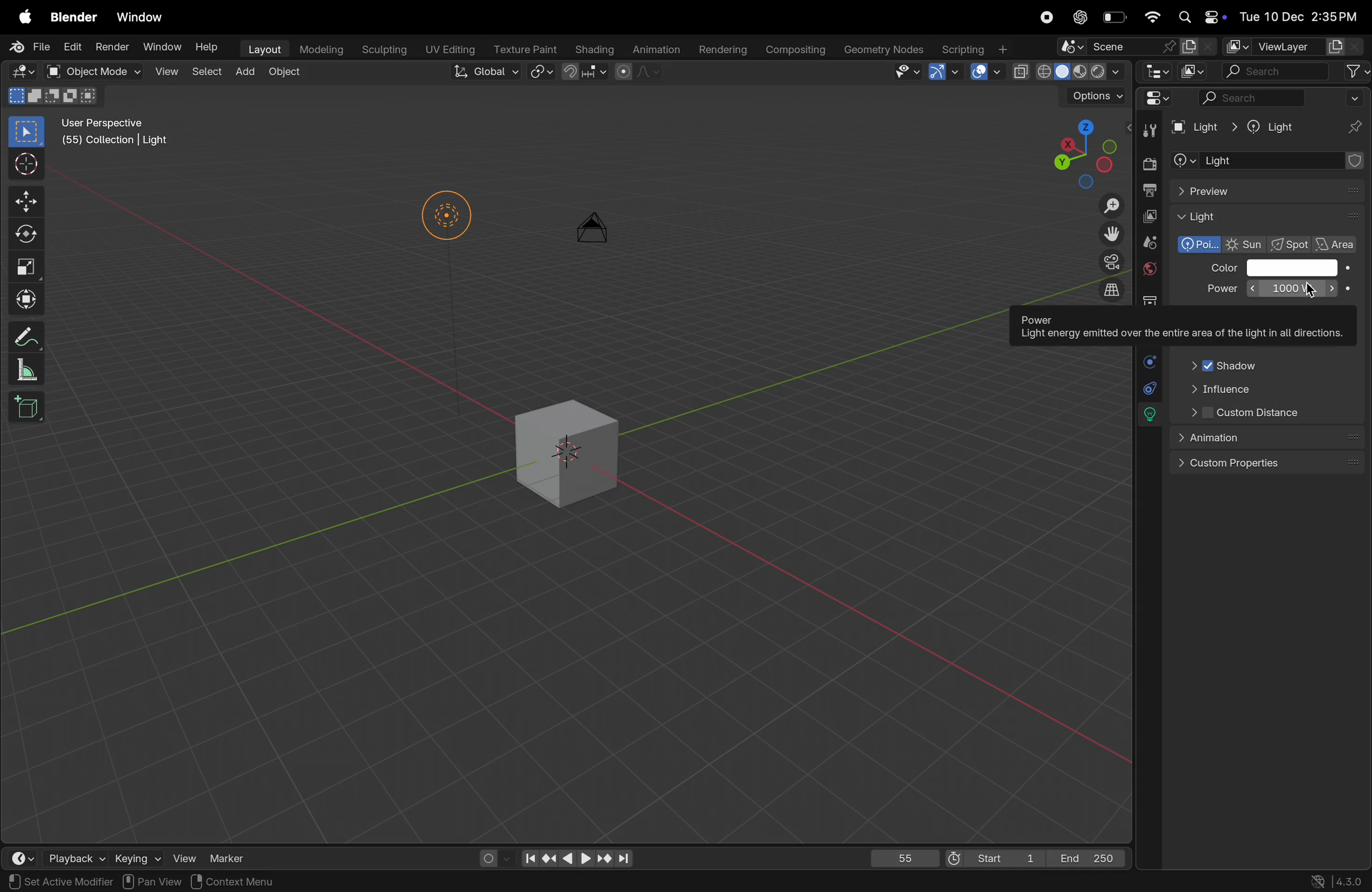  Describe the element at coordinates (570, 447) in the screenshot. I see `3d cube` at that location.